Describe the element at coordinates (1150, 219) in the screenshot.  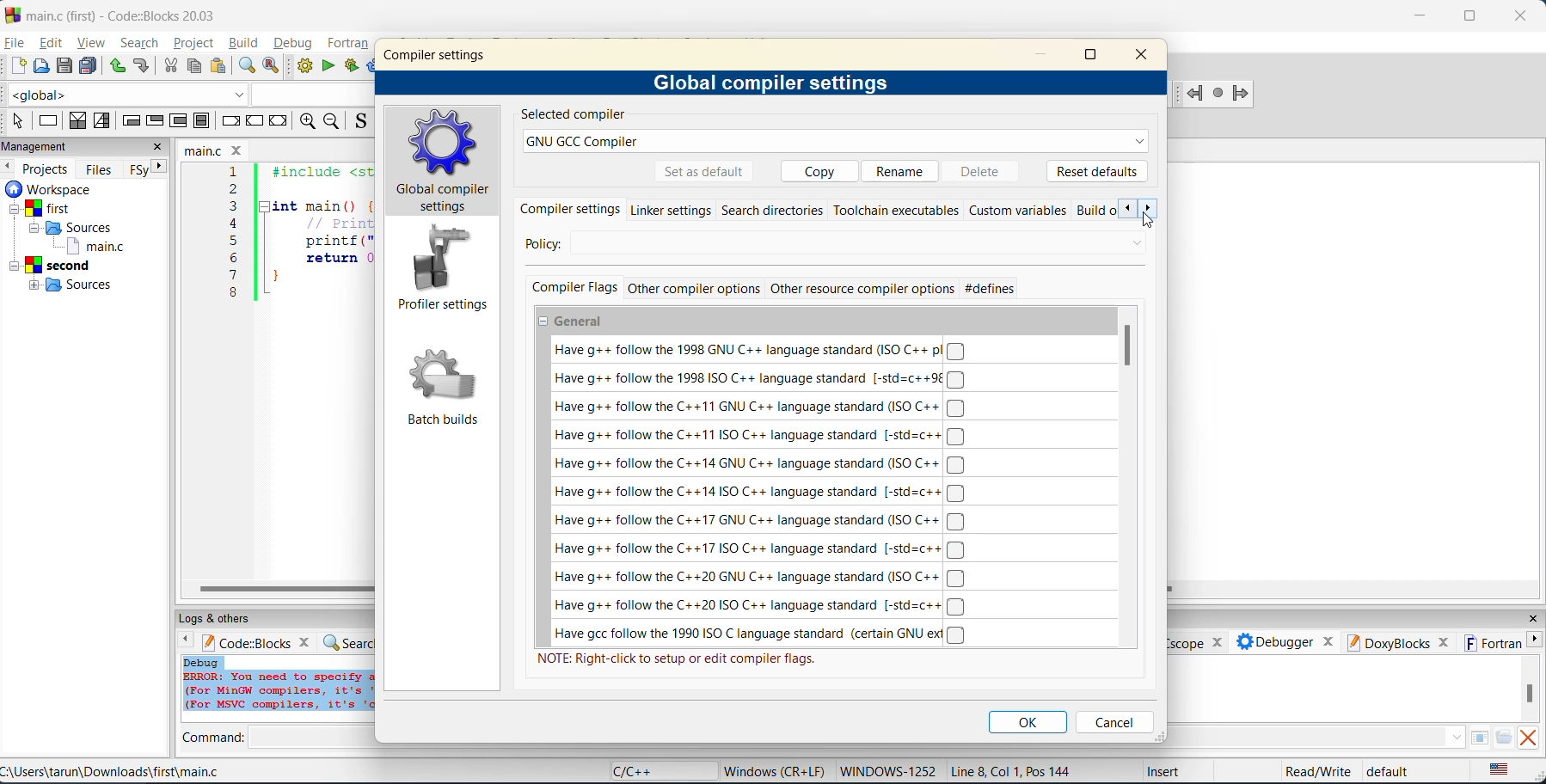
I see `Cursor` at that location.